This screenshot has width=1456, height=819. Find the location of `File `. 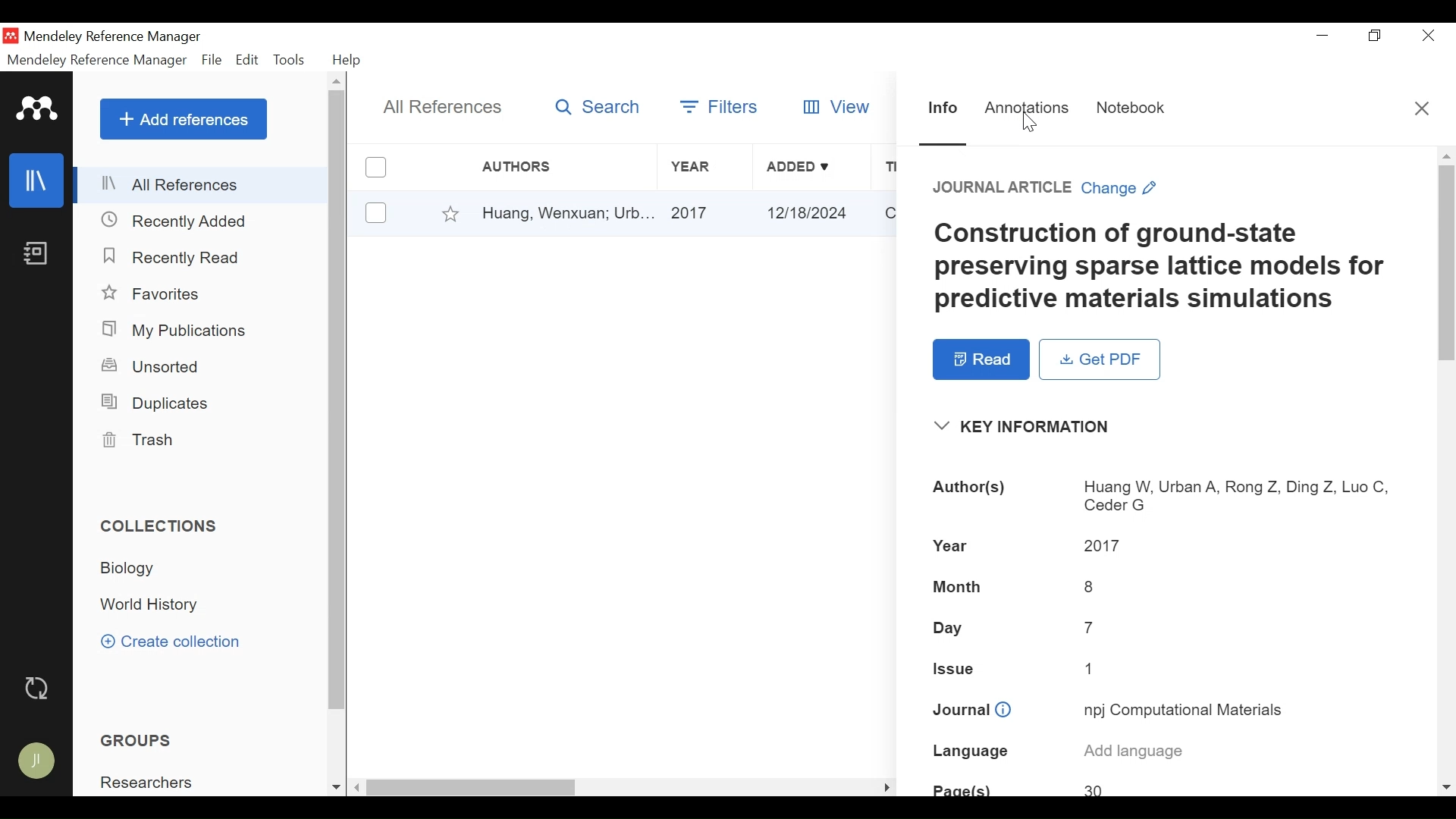

File  is located at coordinates (211, 60).